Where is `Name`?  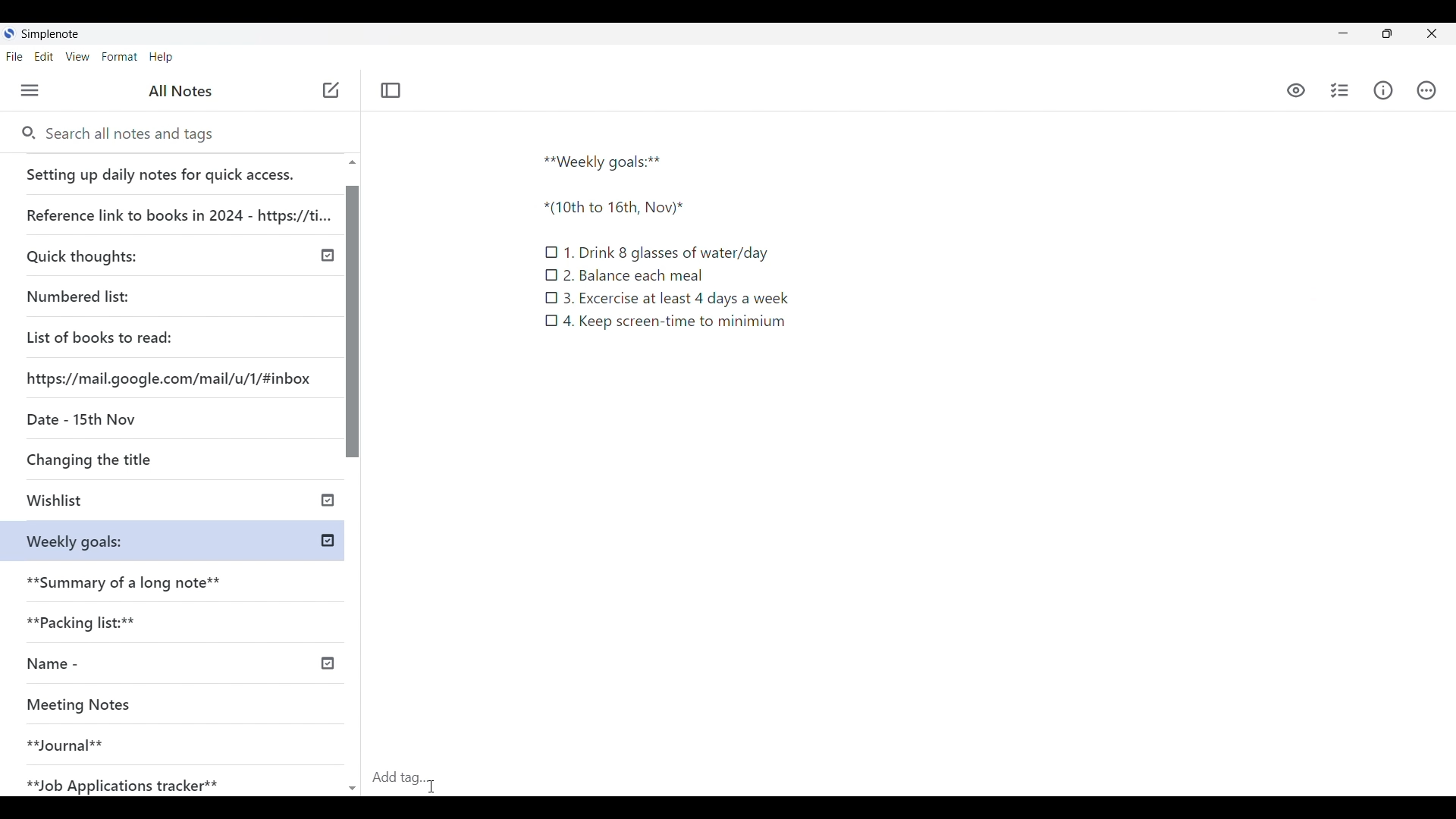
Name is located at coordinates (108, 664).